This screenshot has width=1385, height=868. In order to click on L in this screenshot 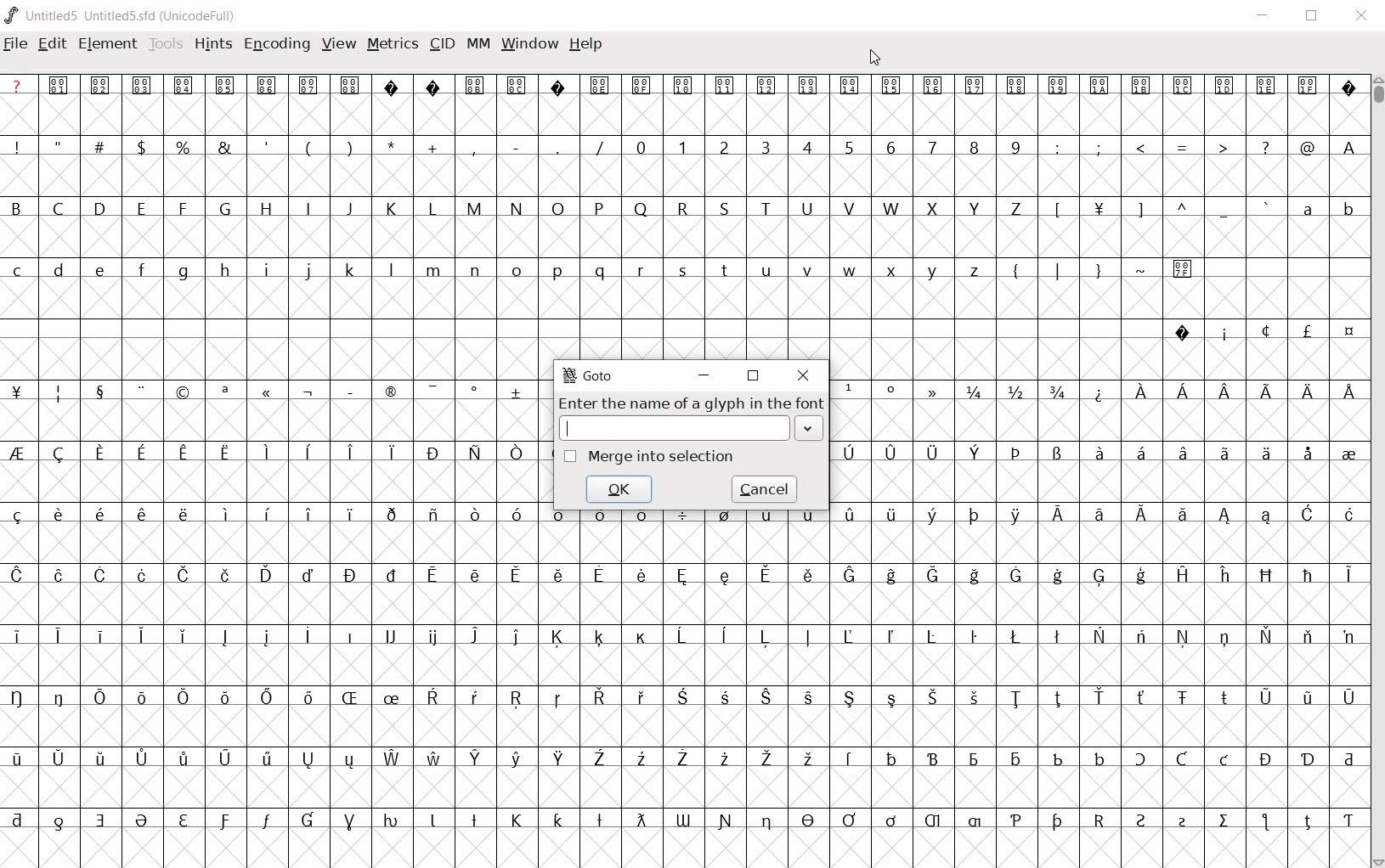, I will do `click(432, 208)`.